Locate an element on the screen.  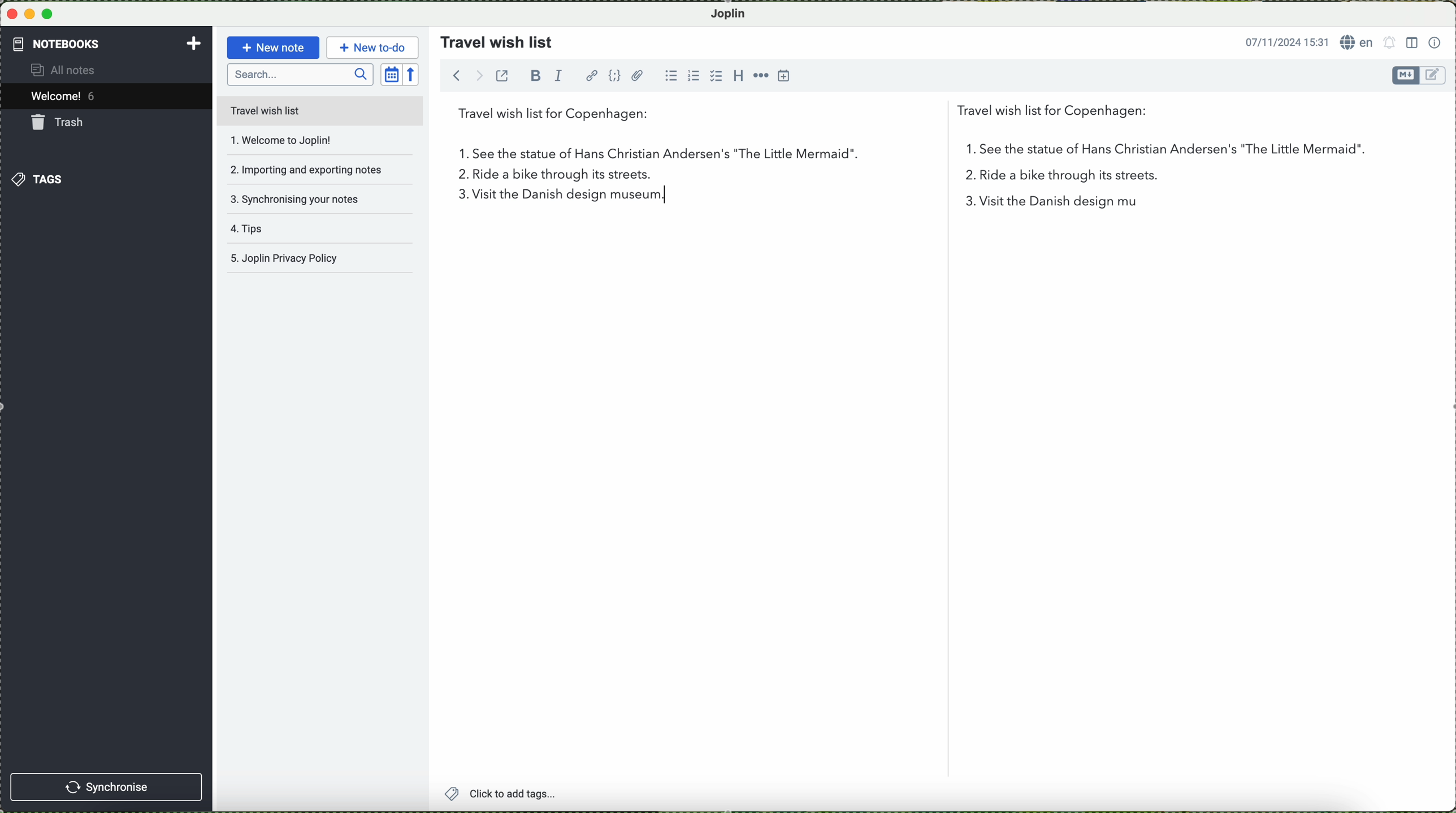
bold is located at coordinates (536, 75).